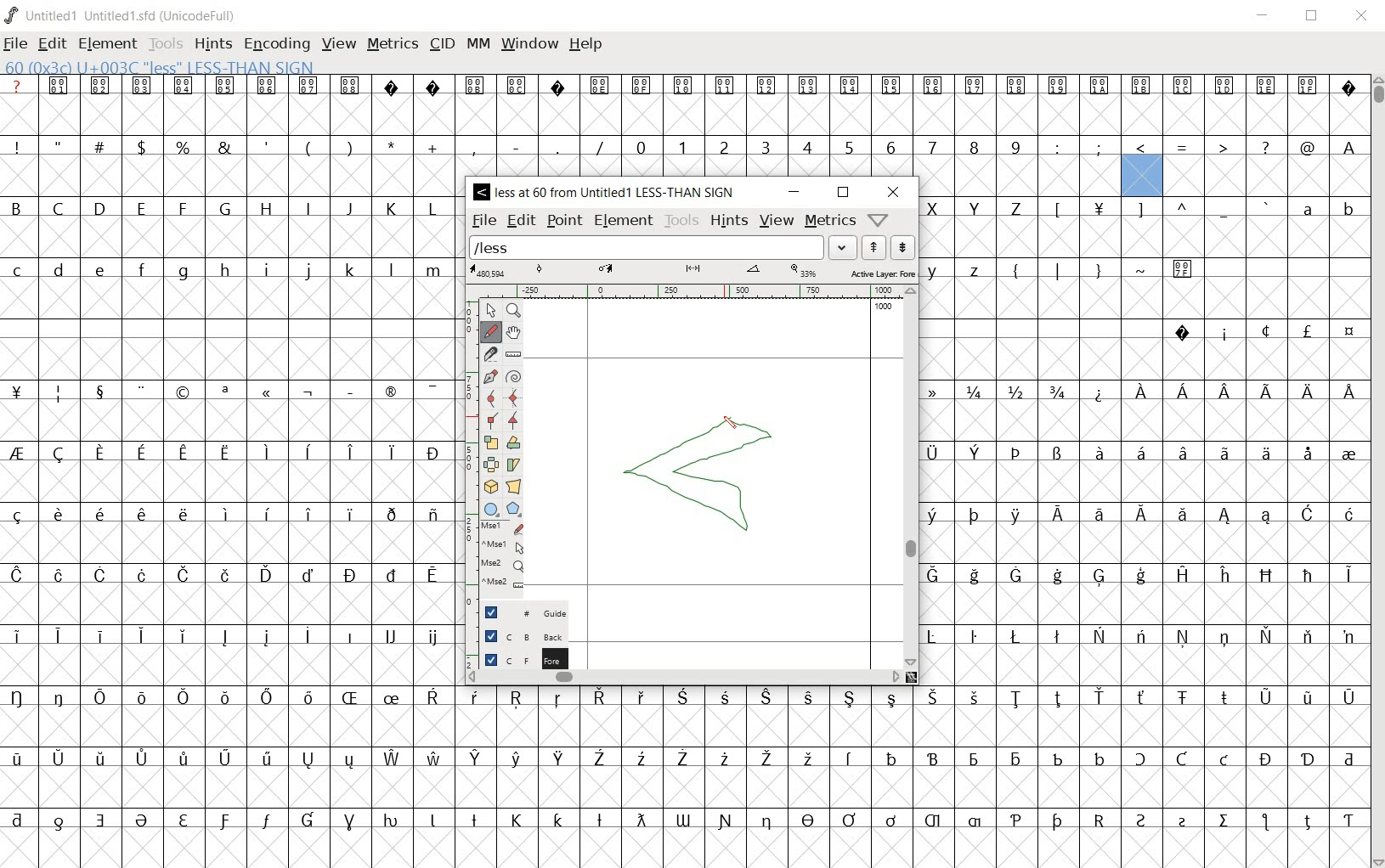 The image size is (1385, 868). I want to click on scrollbar, so click(684, 679).